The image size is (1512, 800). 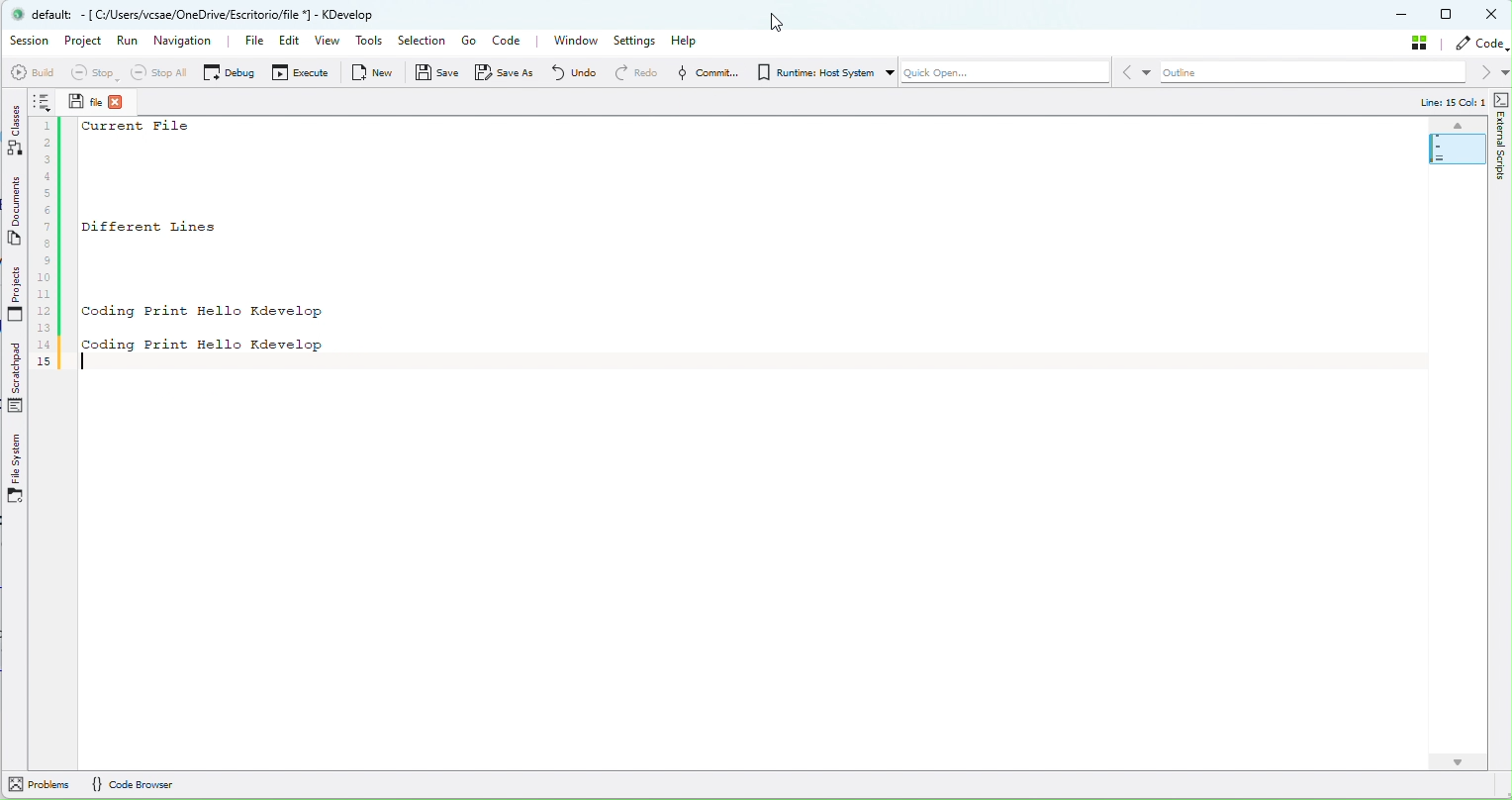 I want to click on File close, so click(x=125, y=102).